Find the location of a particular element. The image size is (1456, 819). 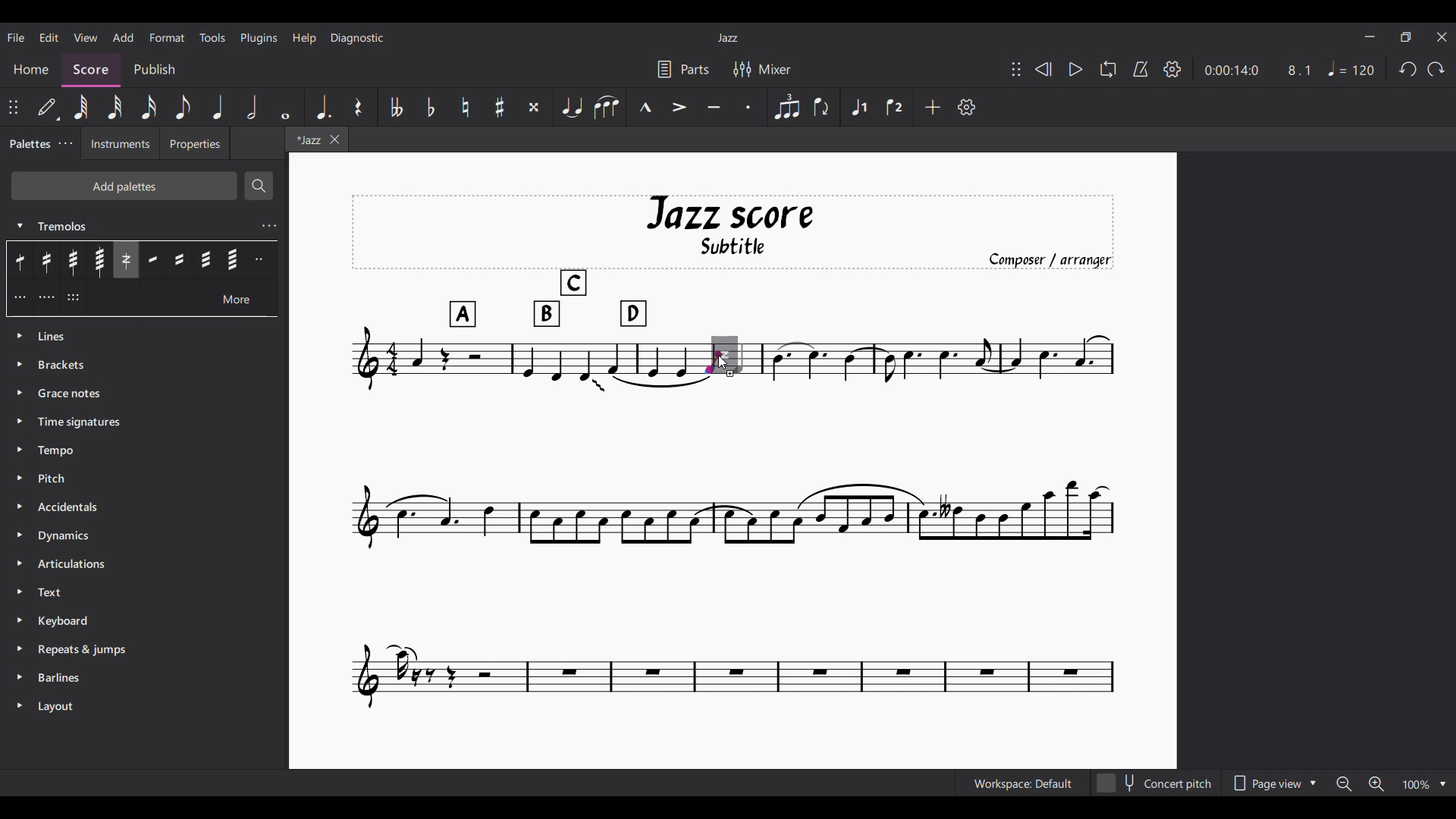

Toggle flat is located at coordinates (431, 107).